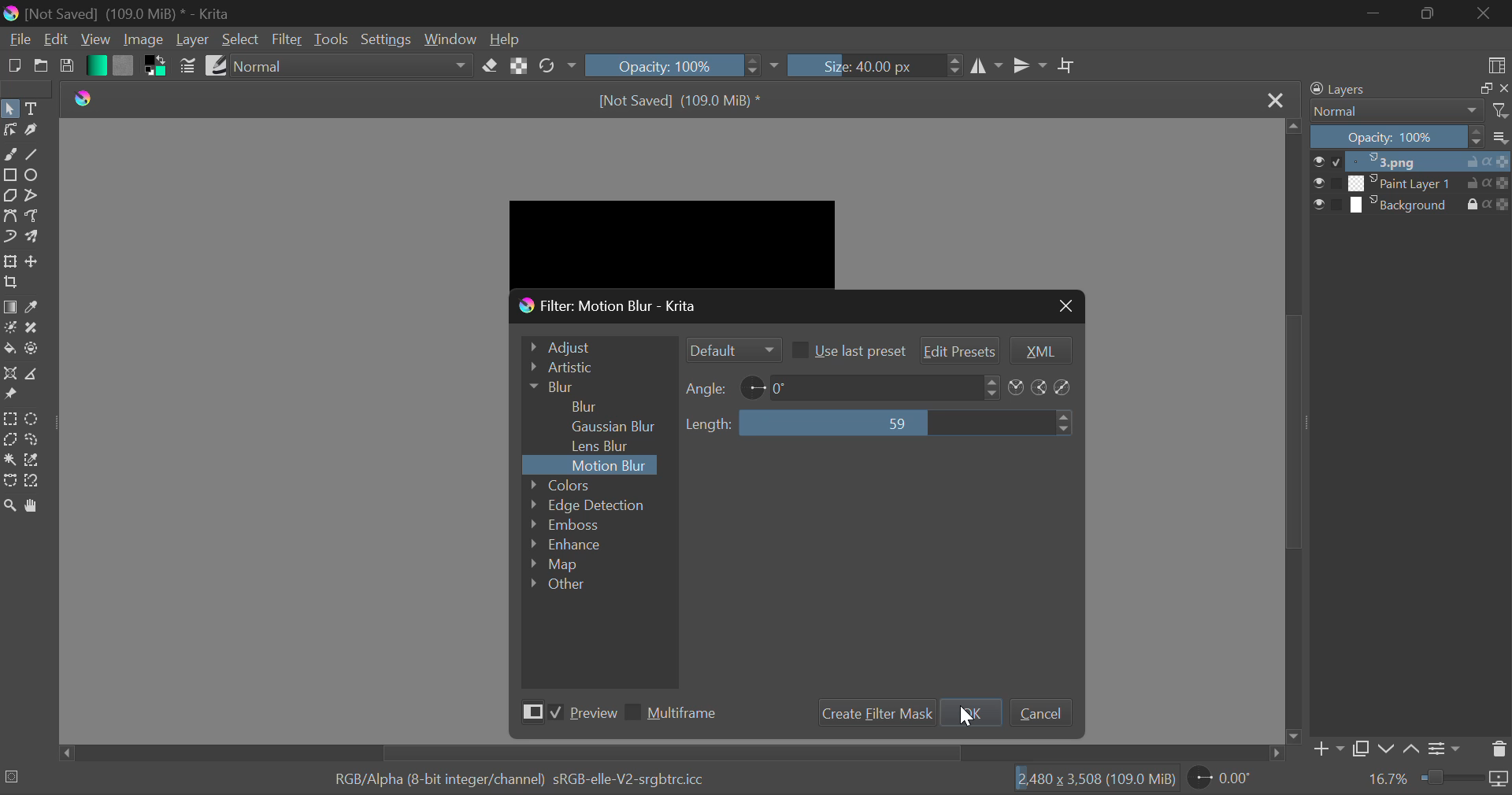  I want to click on Zoom, so click(13, 508).